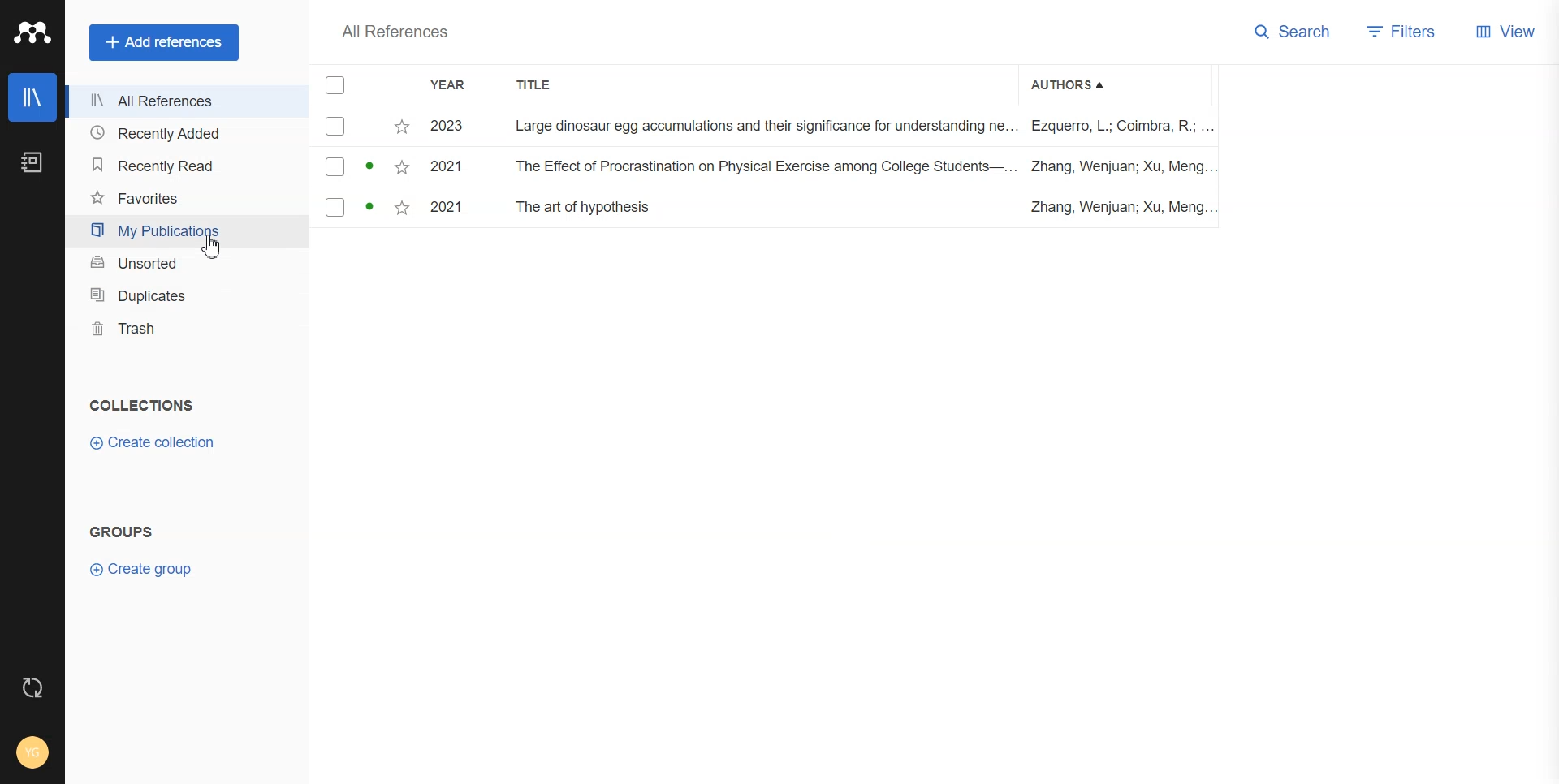 Image resolution: width=1559 pixels, height=784 pixels. What do you see at coordinates (1508, 31) in the screenshot?
I see `View` at bounding box center [1508, 31].